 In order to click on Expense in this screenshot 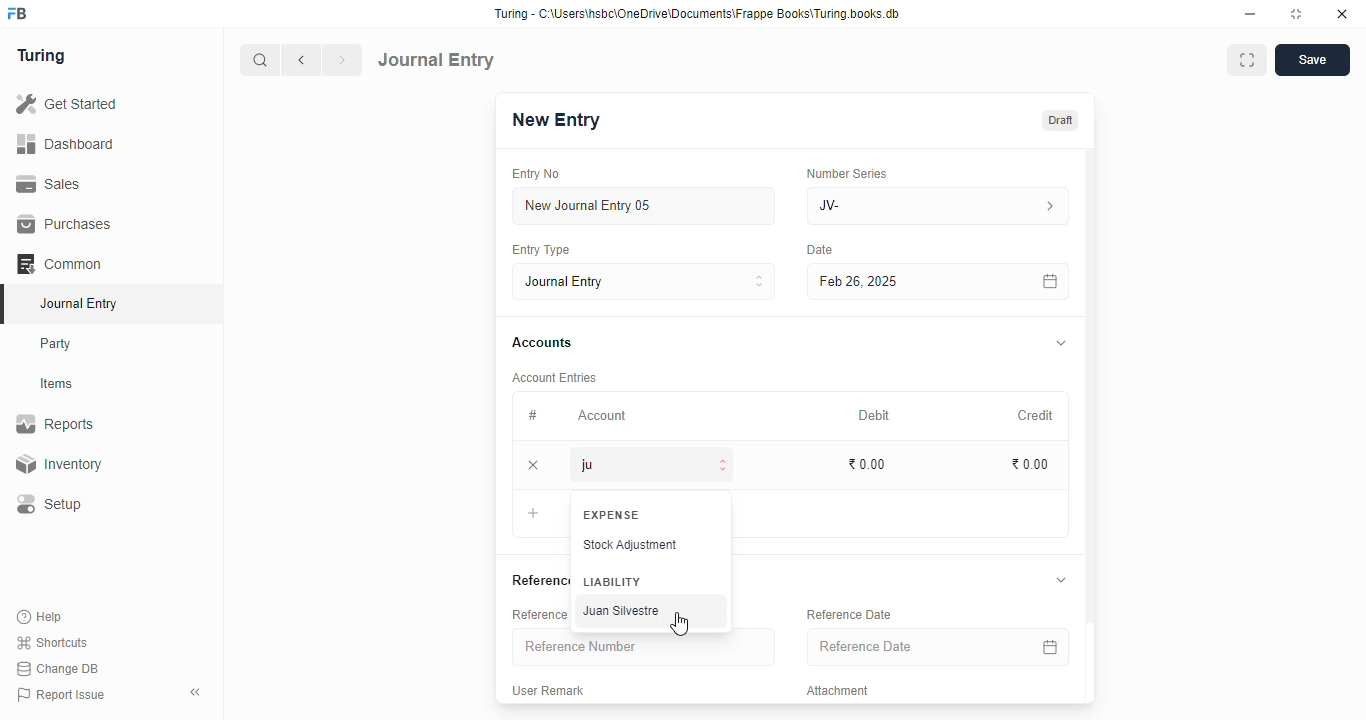, I will do `click(610, 515)`.